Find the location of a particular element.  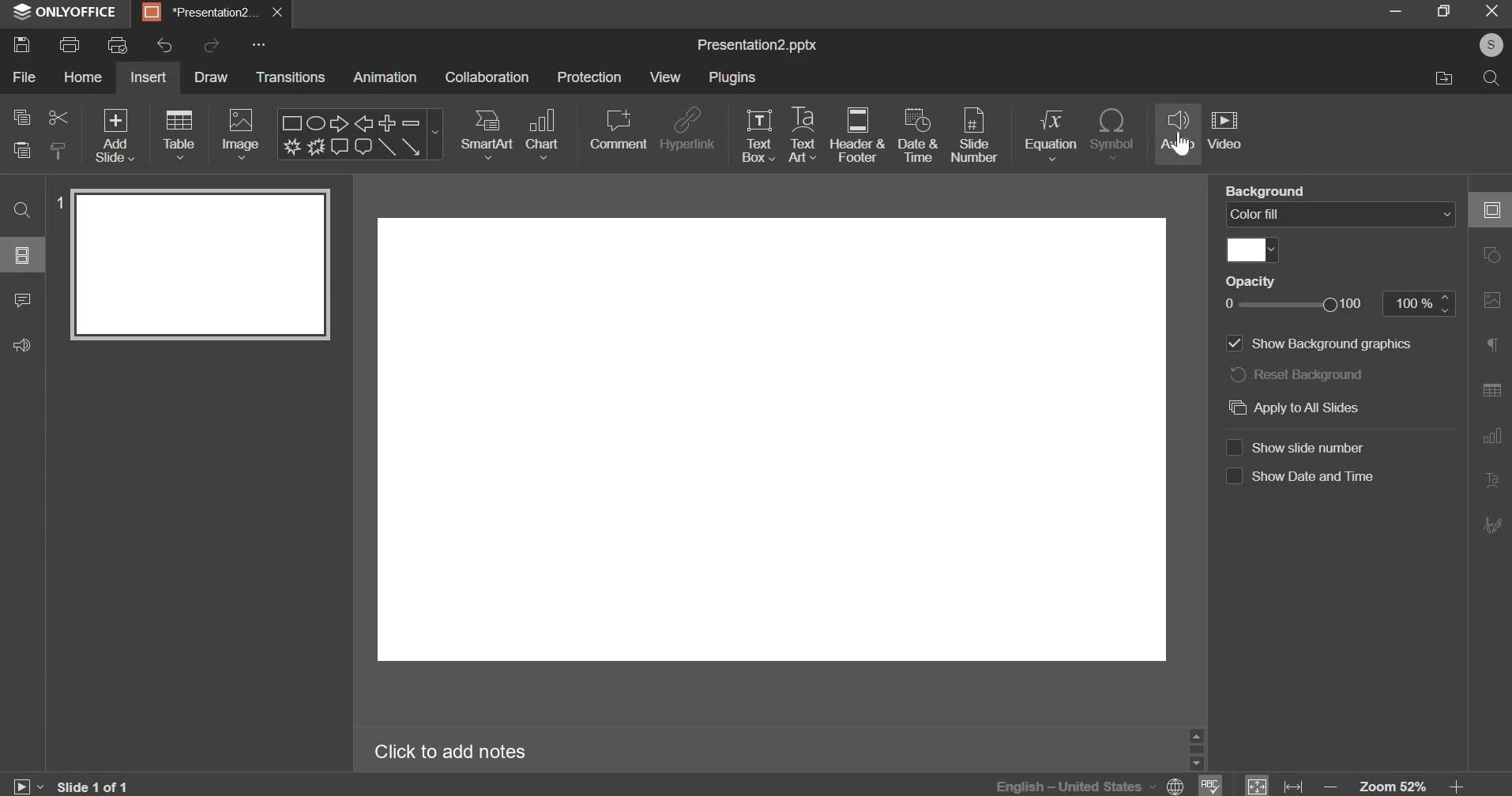

insert equation is located at coordinates (1054, 135).